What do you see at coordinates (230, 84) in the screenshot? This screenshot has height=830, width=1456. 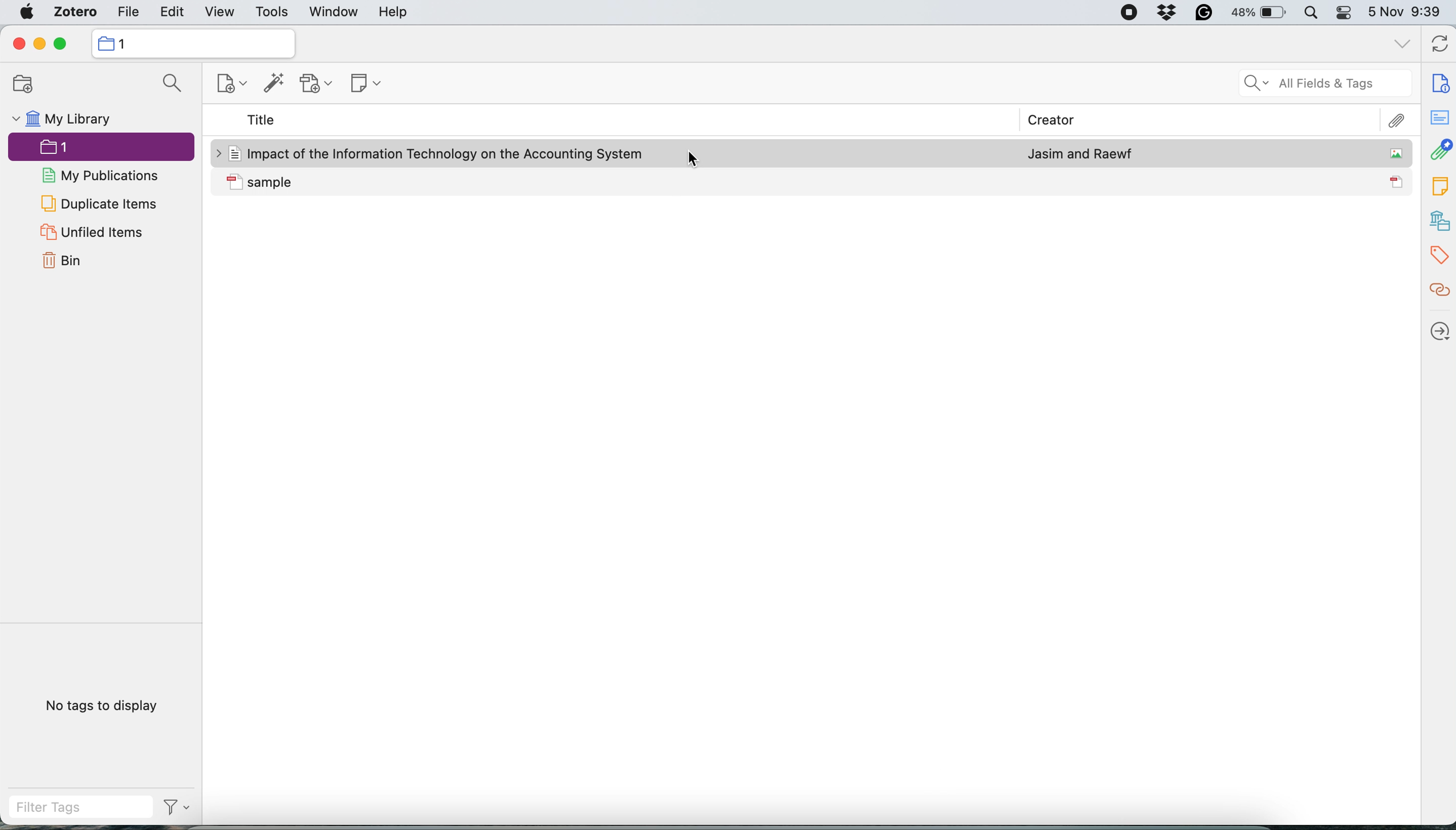 I see `new item` at bounding box center [230, 84].